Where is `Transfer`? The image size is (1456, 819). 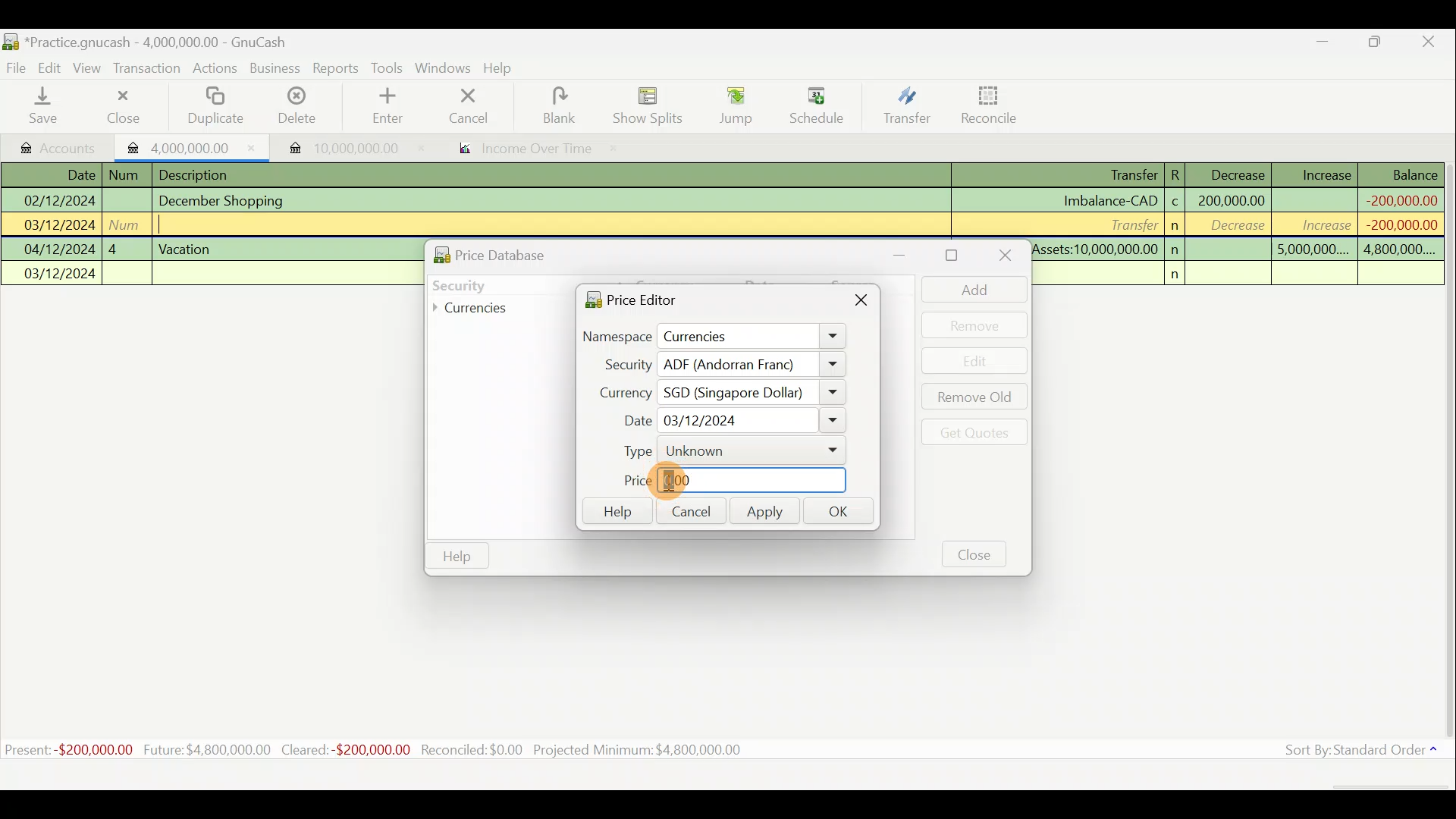
Transfer is located at coordinates (1129, 224).